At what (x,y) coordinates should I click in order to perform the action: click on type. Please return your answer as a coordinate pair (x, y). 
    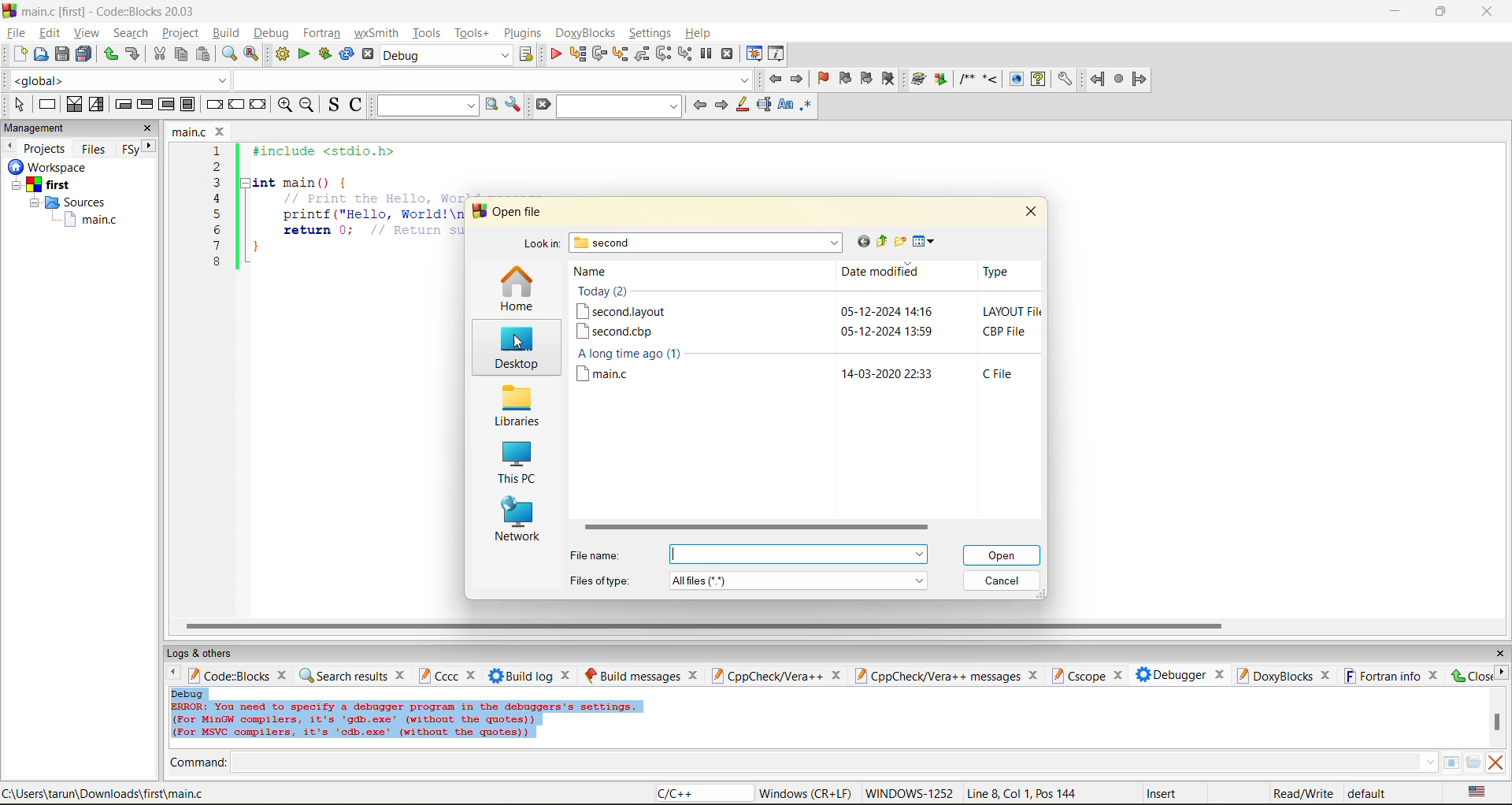
    Looking at the image, I should click on (996, 272).